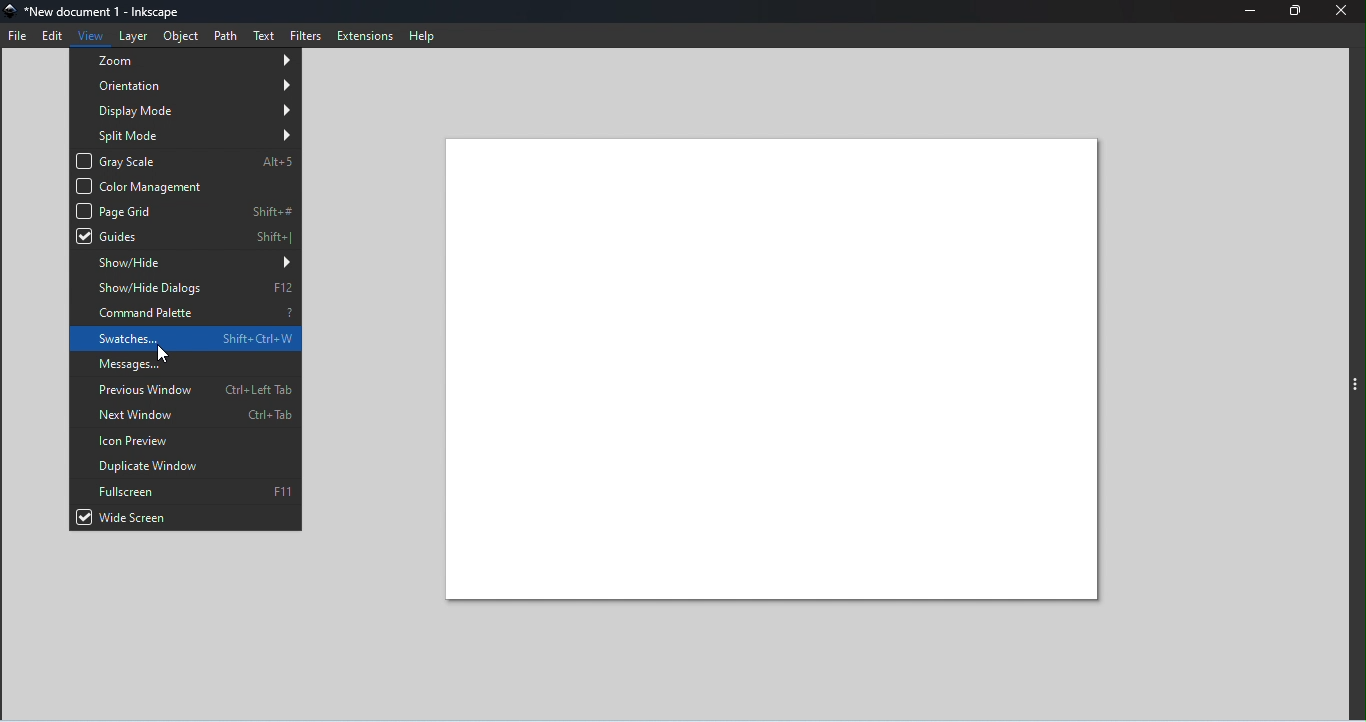  I want to click on Filters, so click(308, 36).